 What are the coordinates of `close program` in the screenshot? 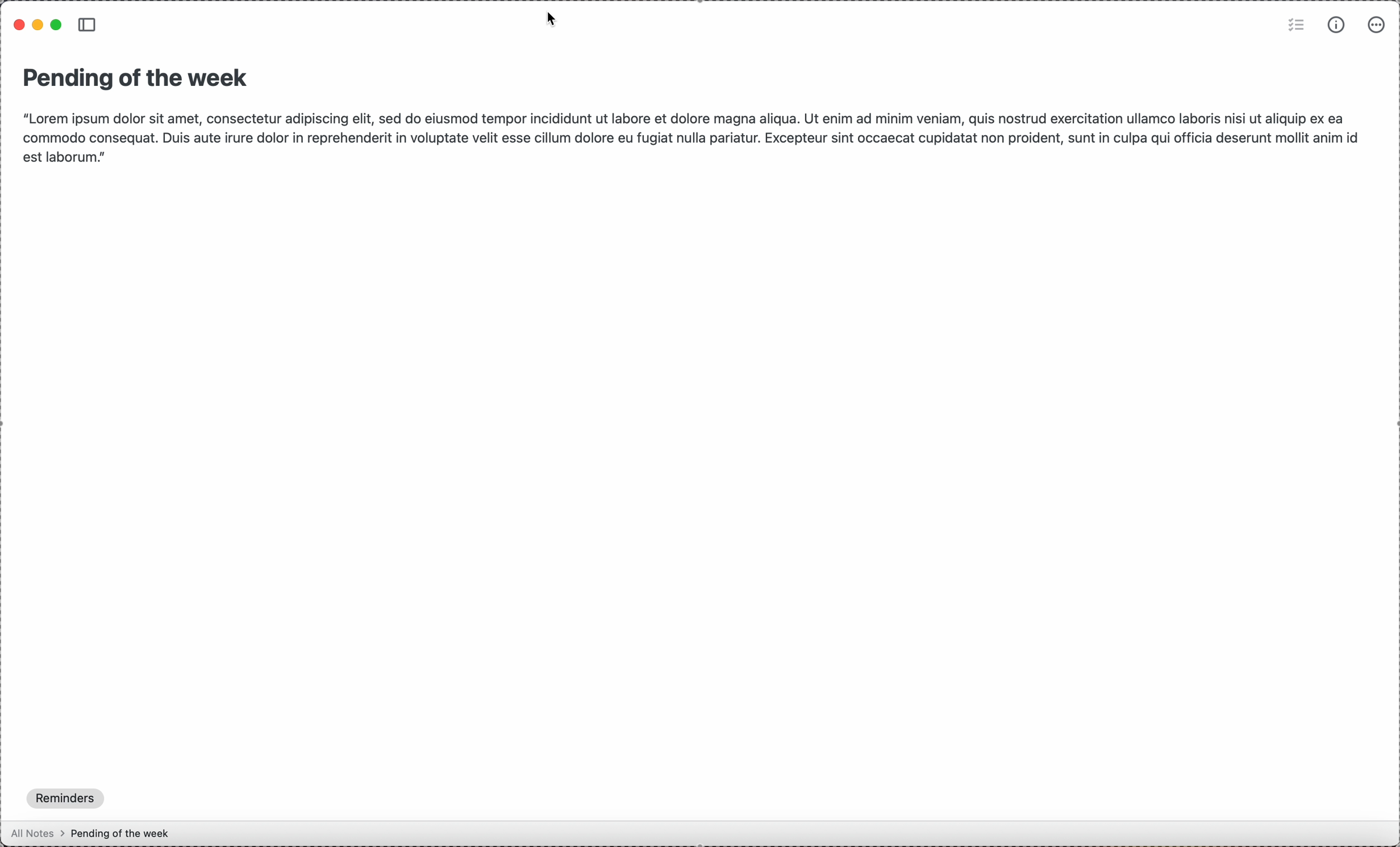 It's located at (19, 24).